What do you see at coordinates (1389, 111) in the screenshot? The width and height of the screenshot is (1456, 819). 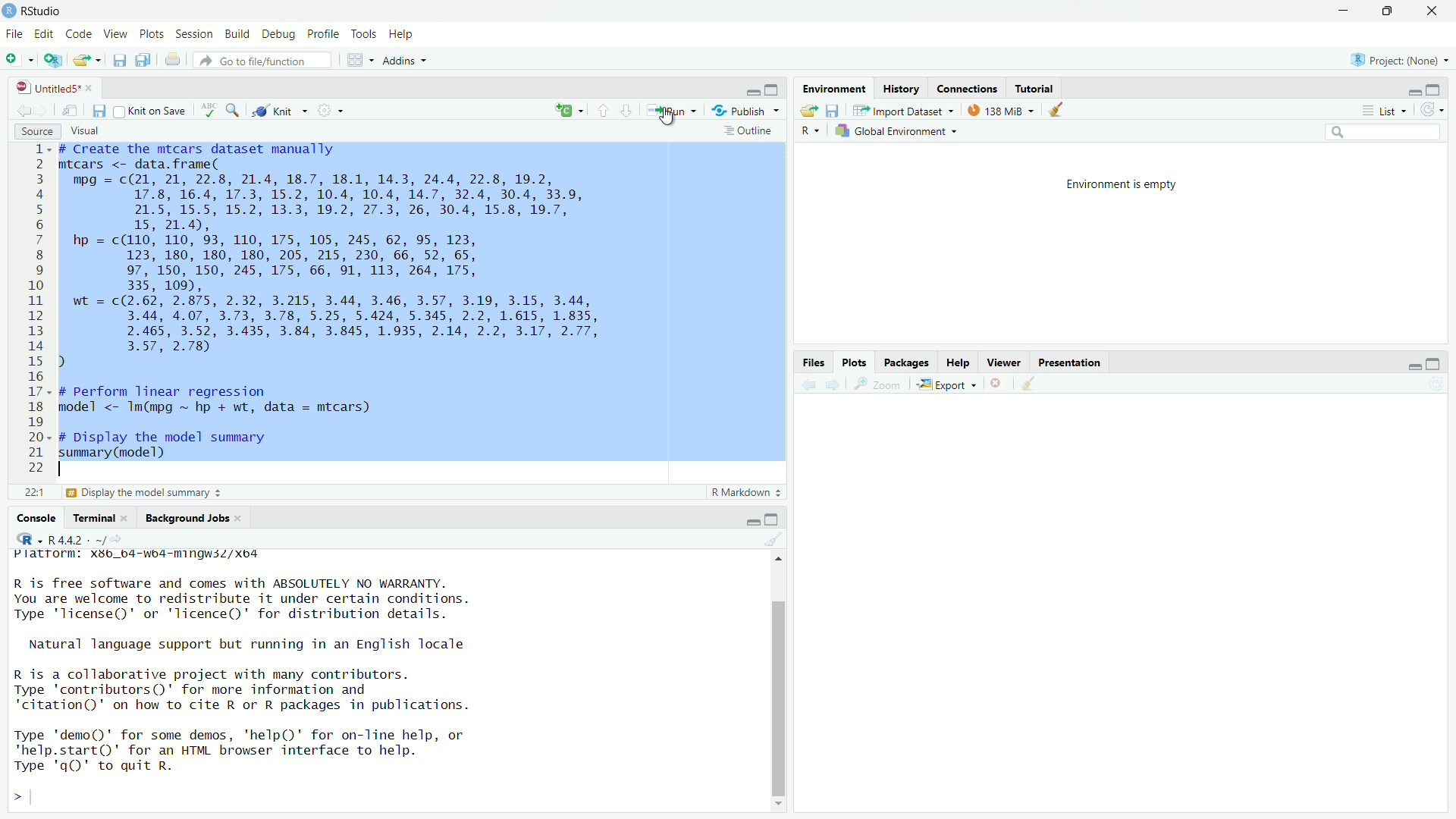 I see `list` at bounding box center [1389, 111].